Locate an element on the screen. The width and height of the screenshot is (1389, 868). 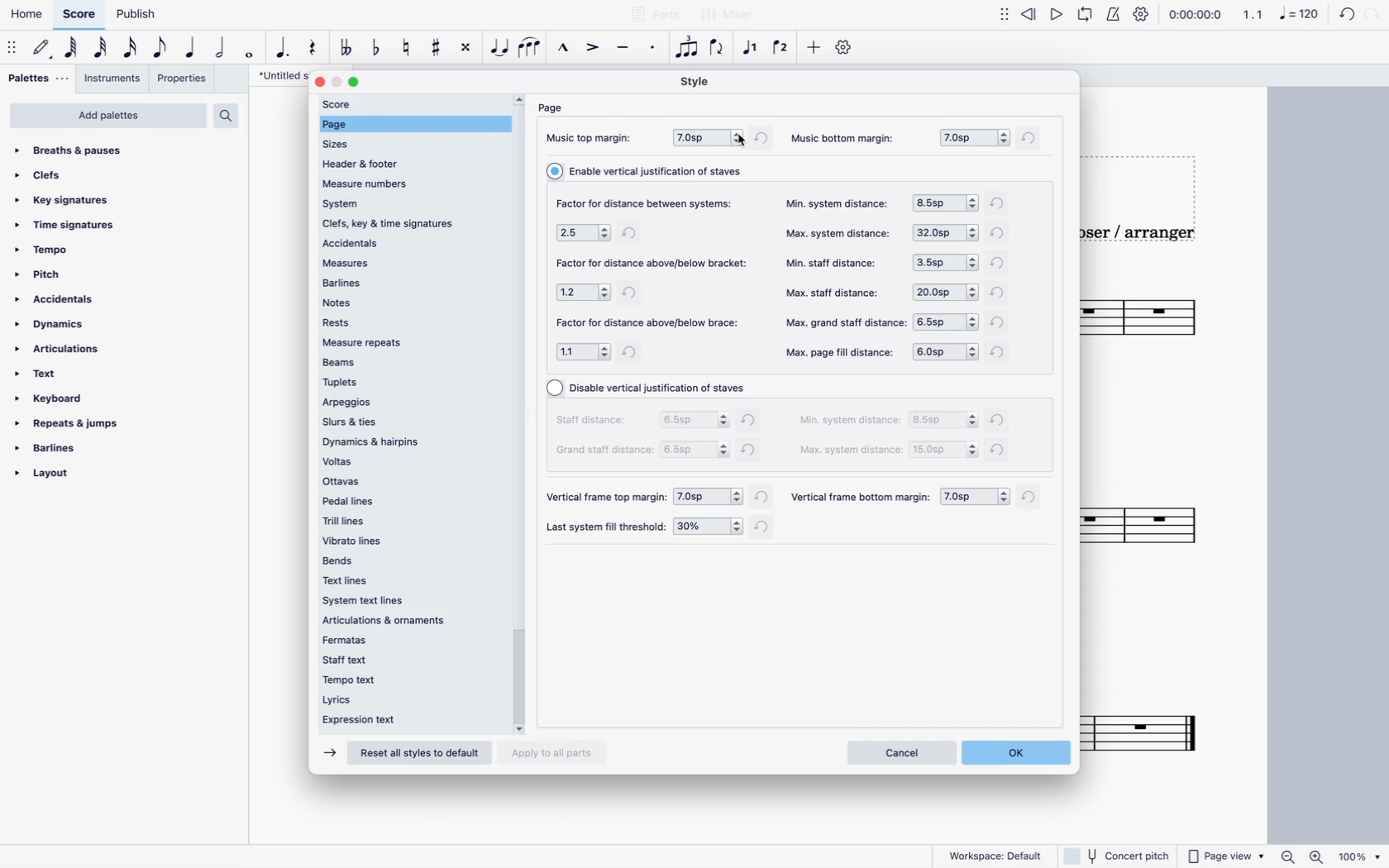
options is located at coordinates (944, 420).